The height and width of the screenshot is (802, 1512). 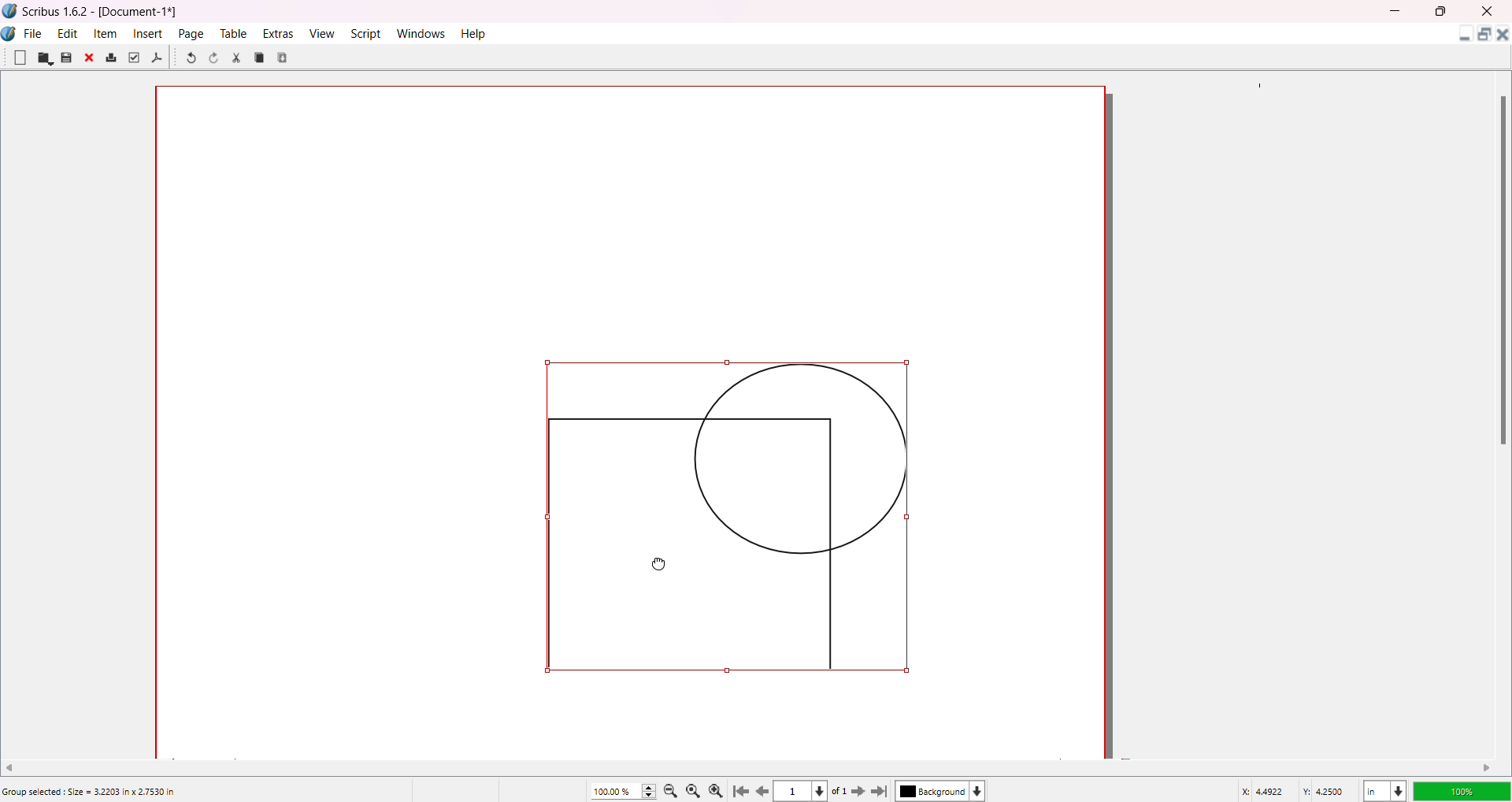 What do you see at coordinates (854, 790) in the screenshot?
I see `Next` at bounding box center [854, 790].